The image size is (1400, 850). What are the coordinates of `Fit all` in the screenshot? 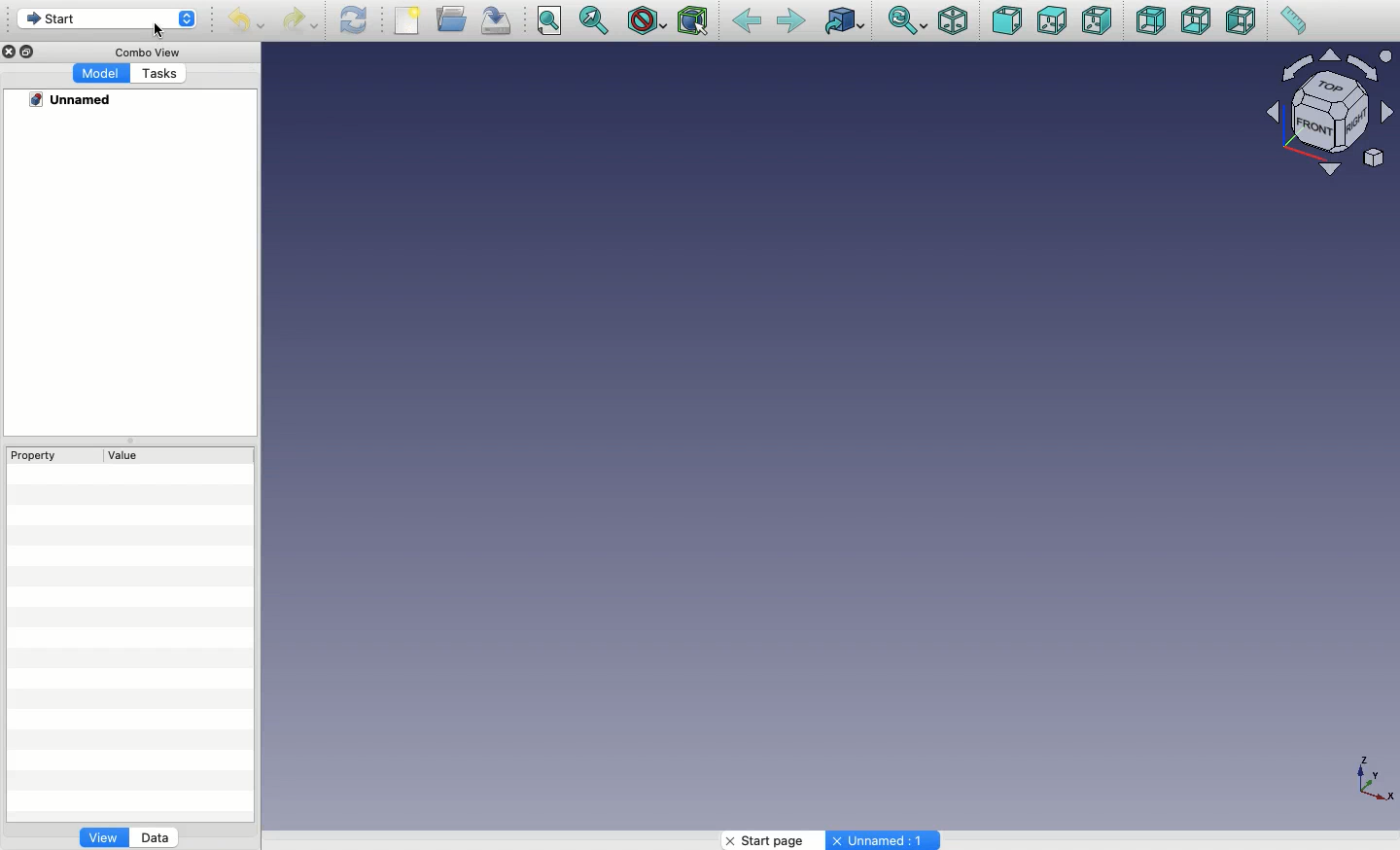 It's located at (551, 21).